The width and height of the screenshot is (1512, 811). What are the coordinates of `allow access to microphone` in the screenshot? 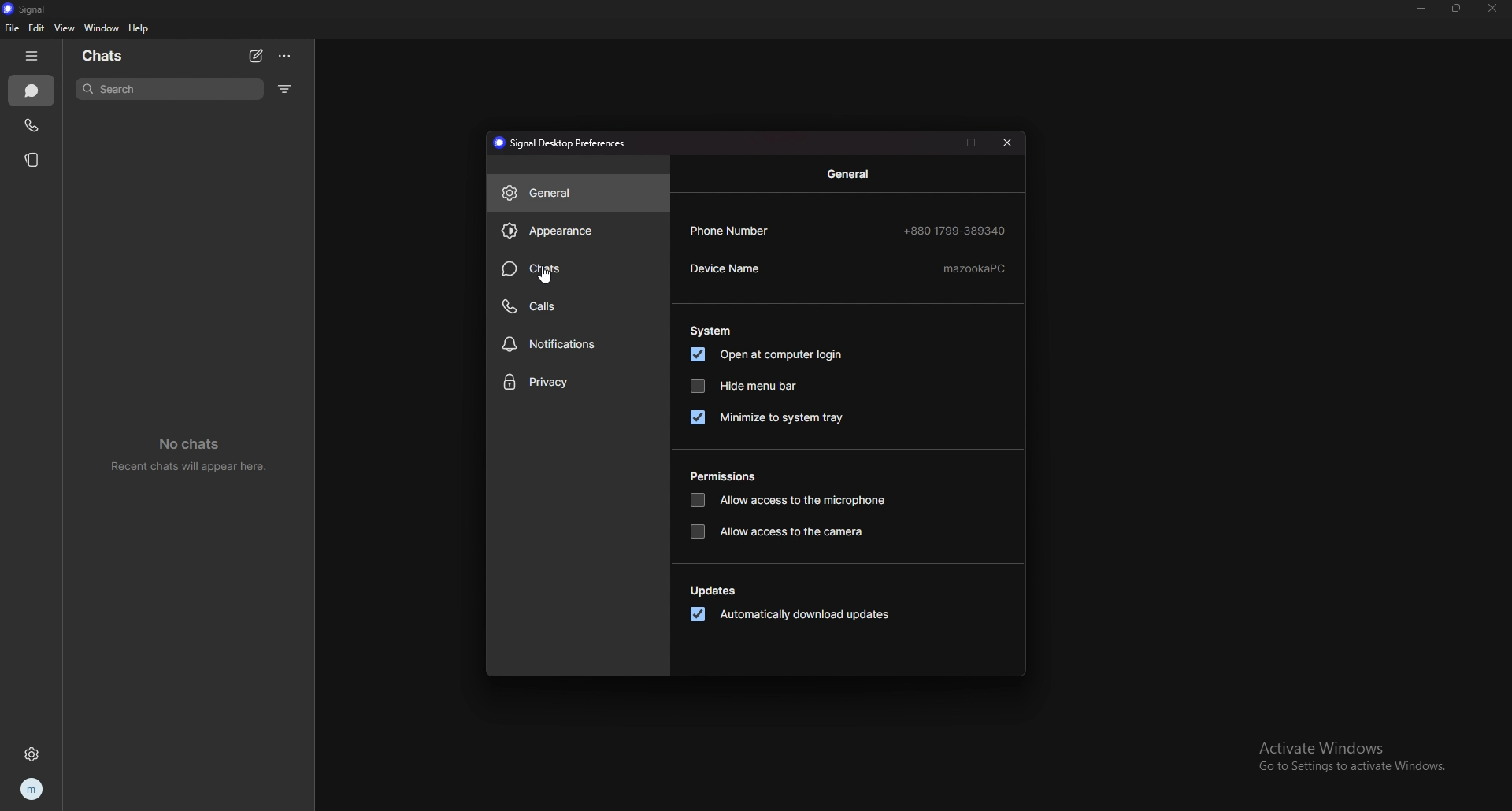 It's located at (789, 501).